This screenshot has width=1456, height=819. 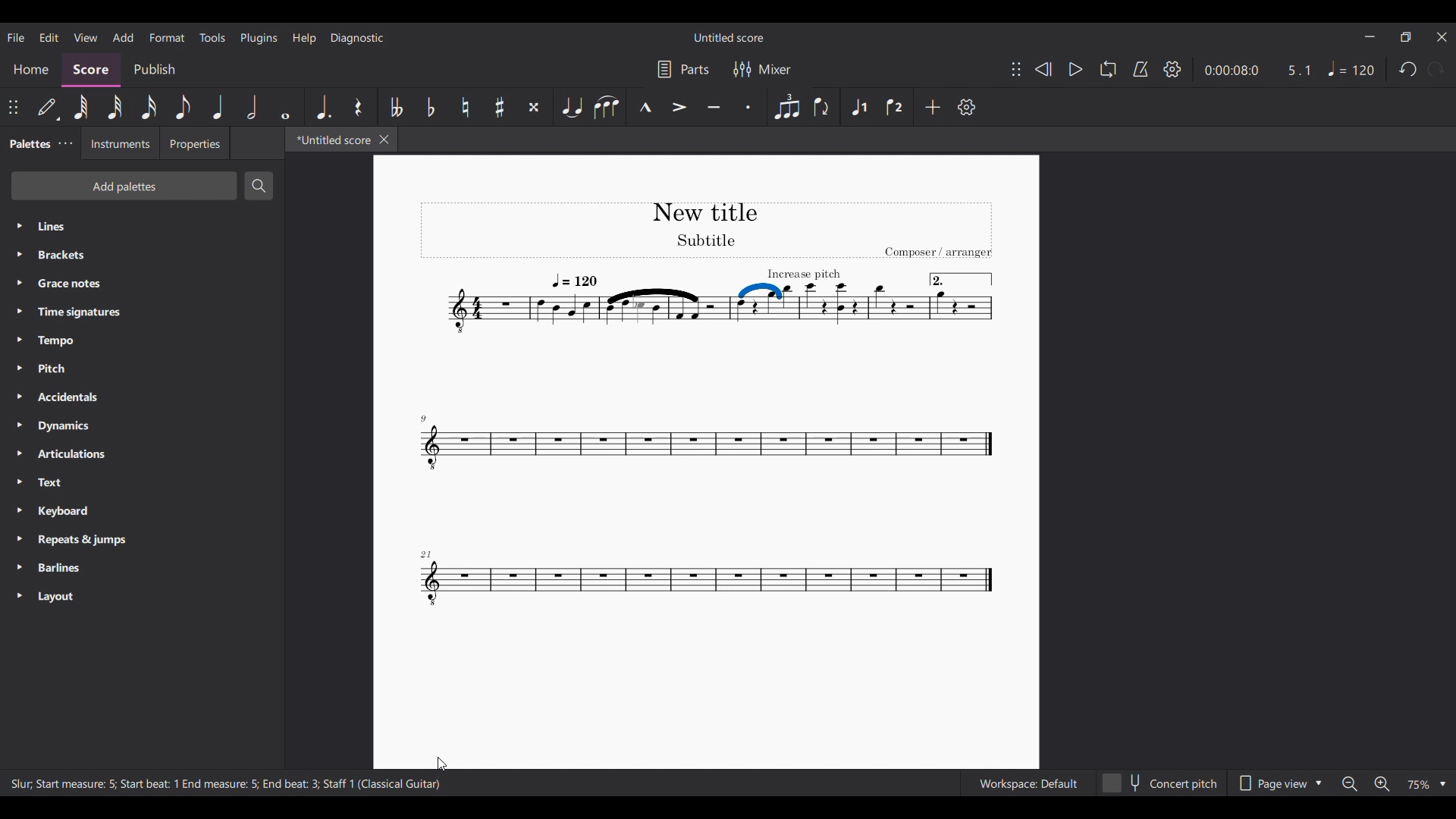 What do you see at coordinates (1028, 783) in the screenshot?
I see `Workspace: Default` at bounding box center [1028, 783].